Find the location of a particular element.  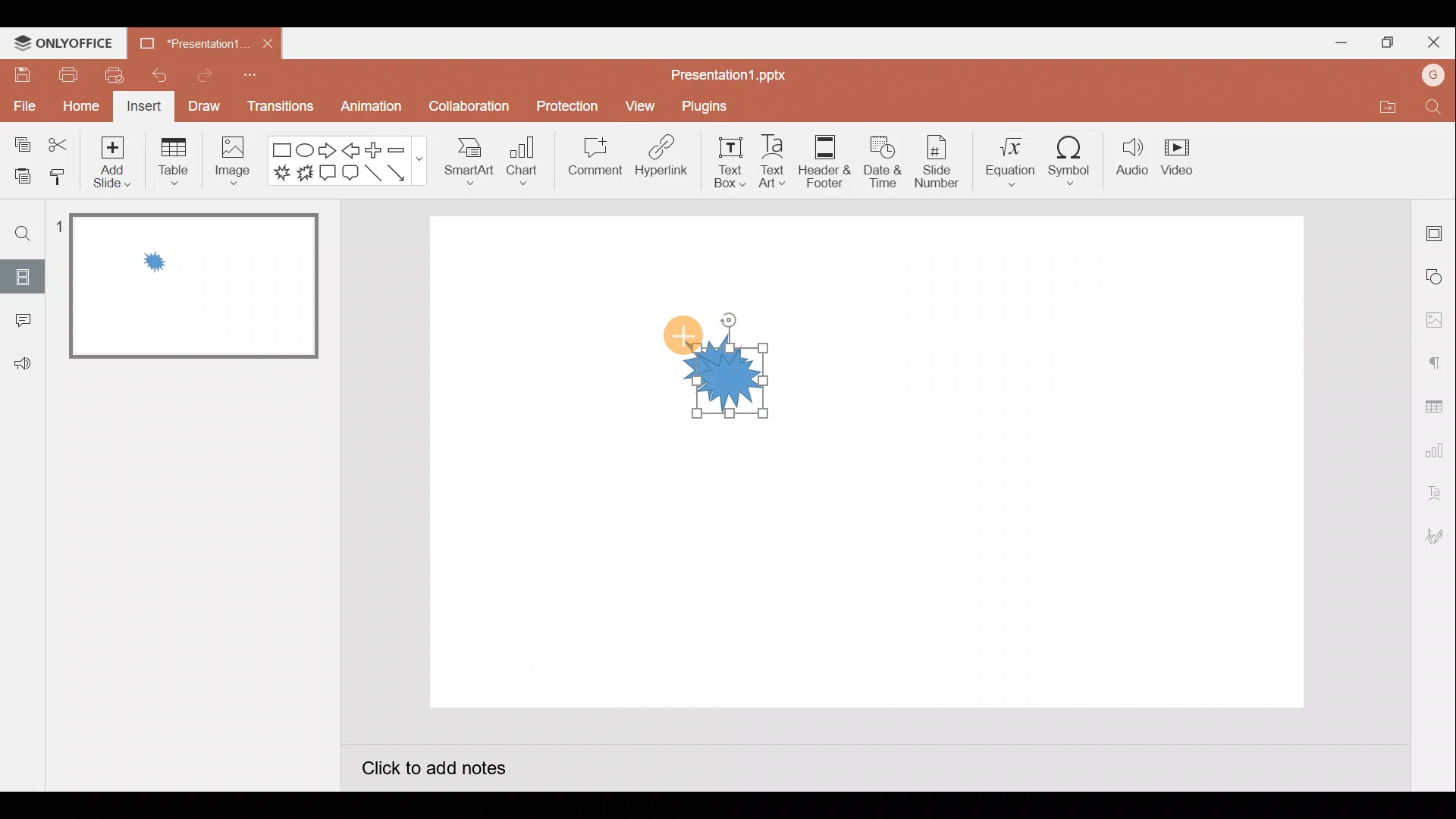

G is located at coordinates (1434, 73).